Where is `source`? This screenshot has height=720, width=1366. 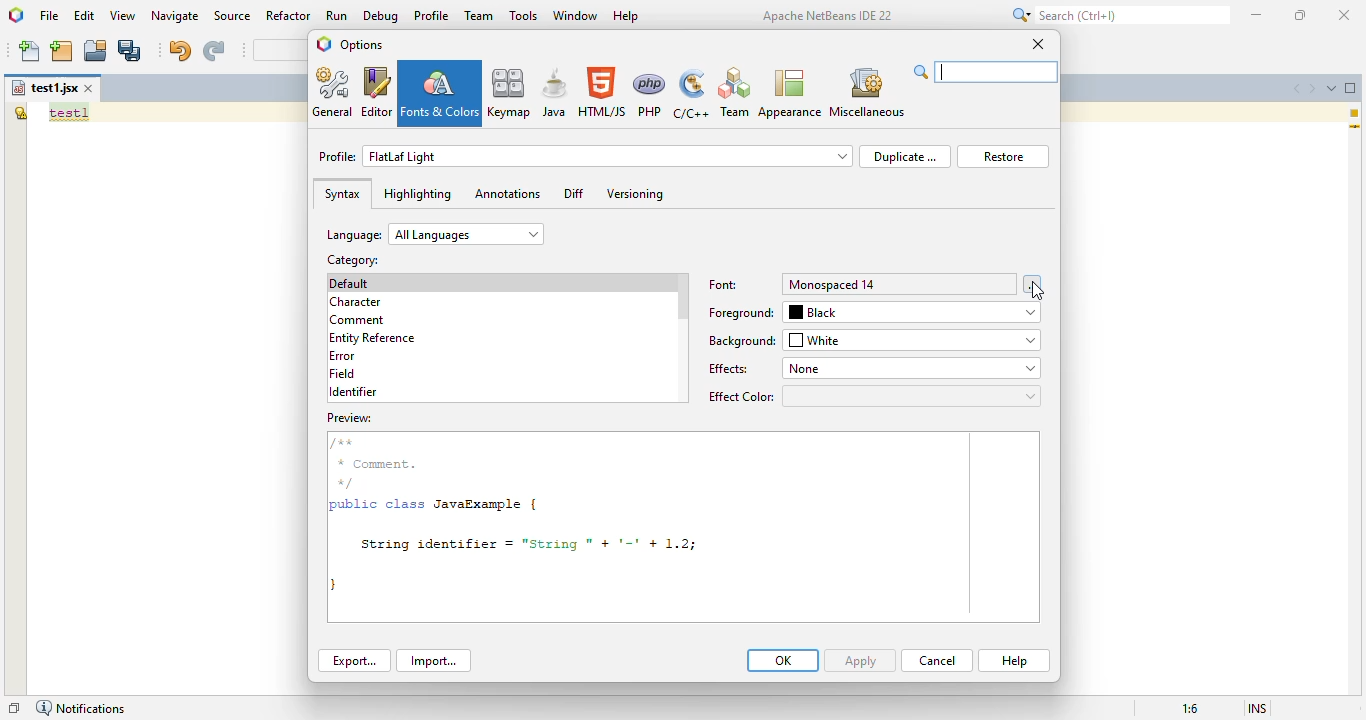 source is located at coordinates (233, 16).